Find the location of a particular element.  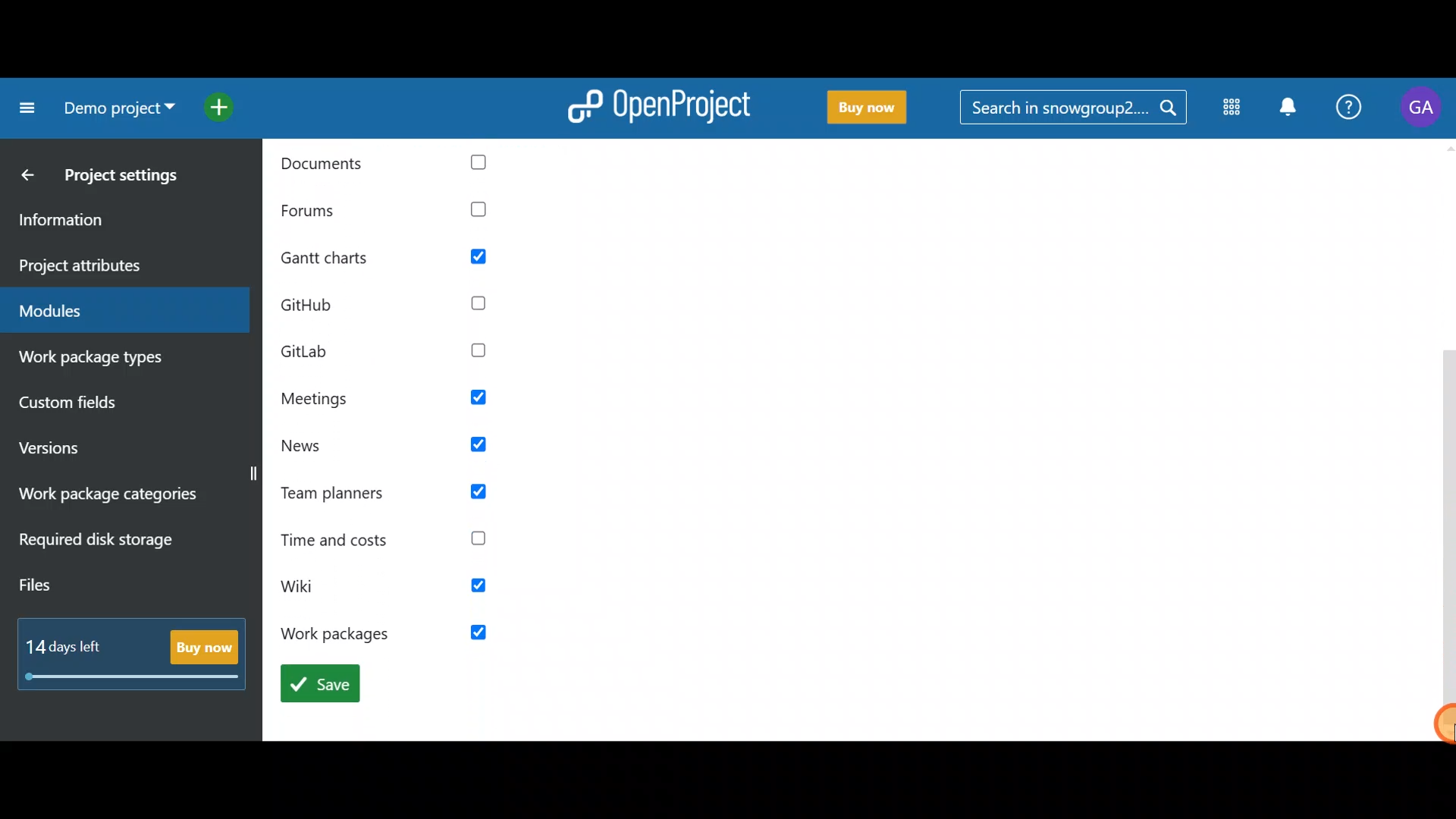

Notification centre is located at coordinates (1291, 111).